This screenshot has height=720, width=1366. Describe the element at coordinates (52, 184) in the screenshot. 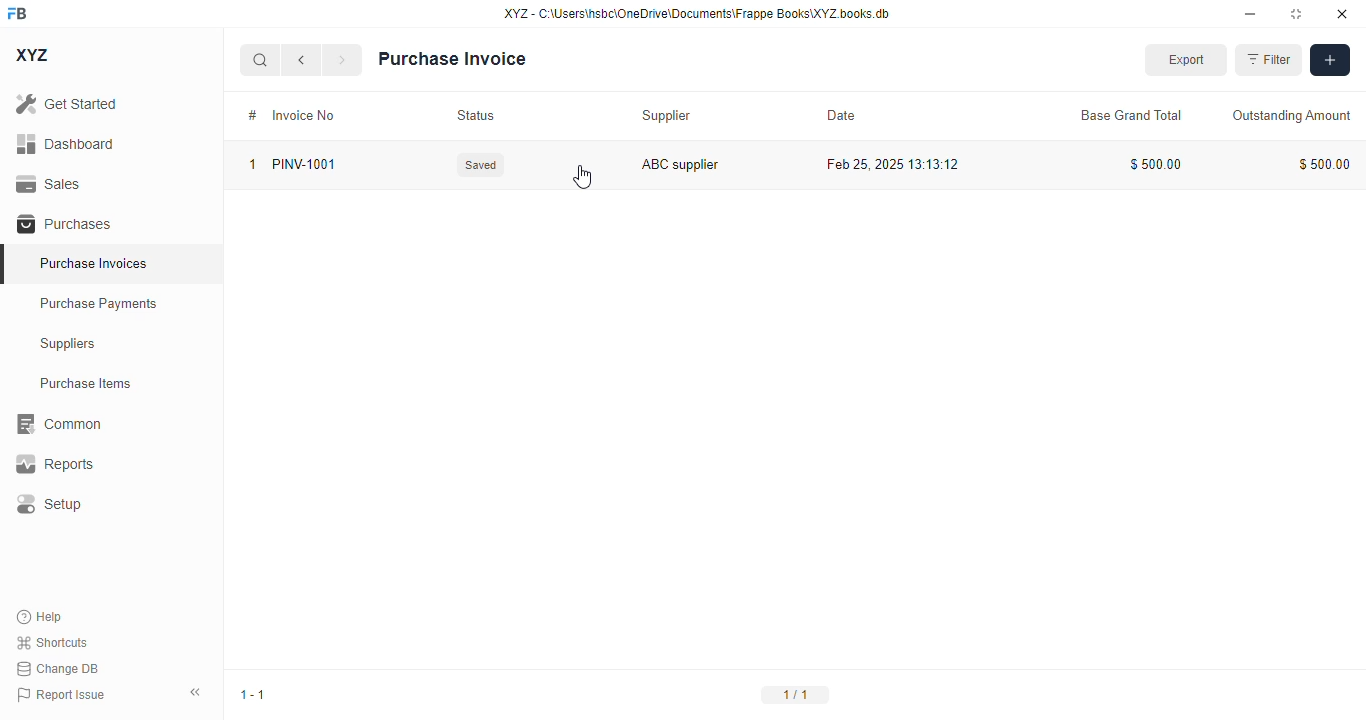

I see `sales` at that location.